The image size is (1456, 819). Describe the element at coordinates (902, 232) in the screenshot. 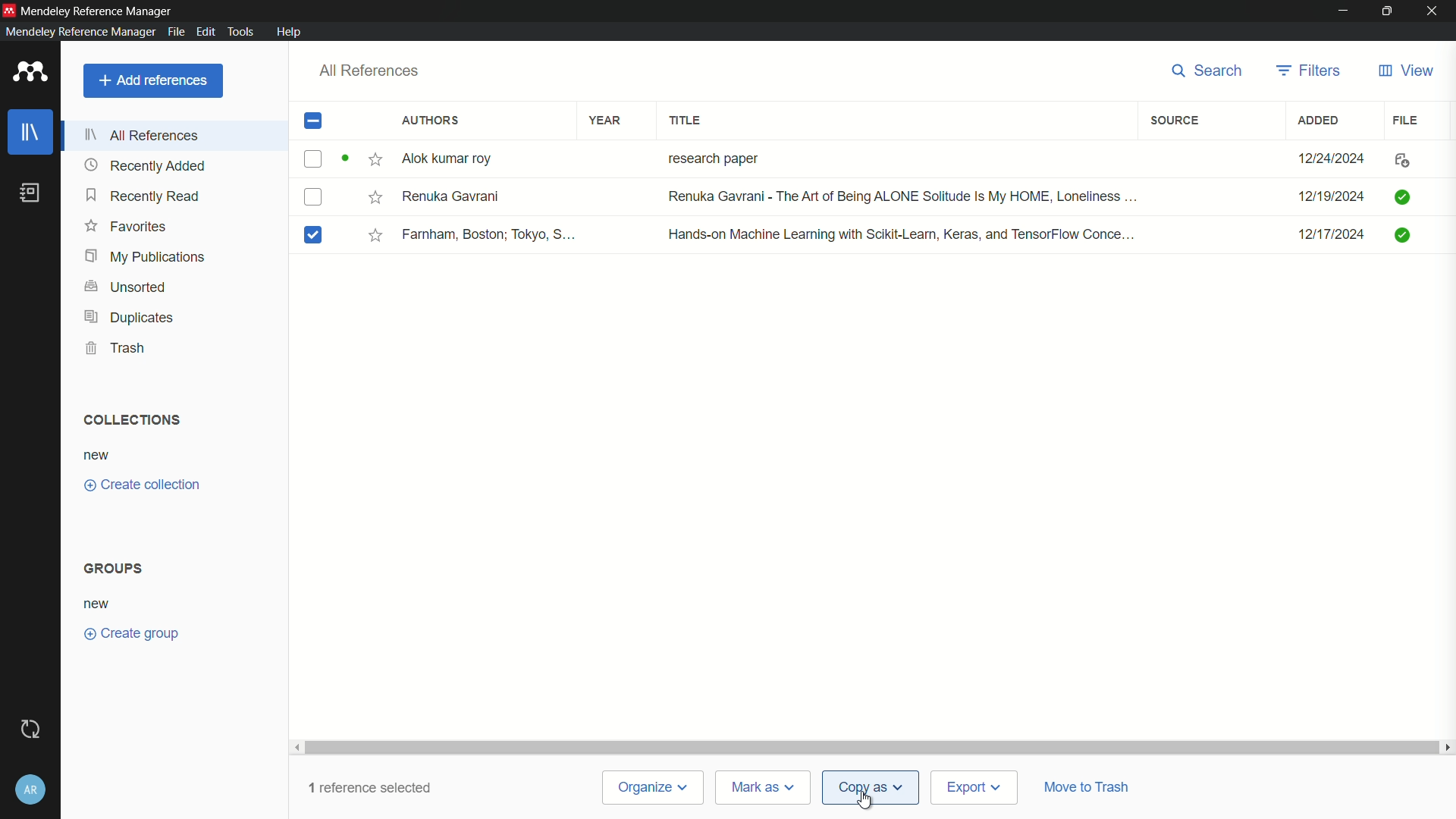

I see `Hands-on Machine Learning with Scikit-Learn, Keras, and TensorFlow Conce...` at that location.